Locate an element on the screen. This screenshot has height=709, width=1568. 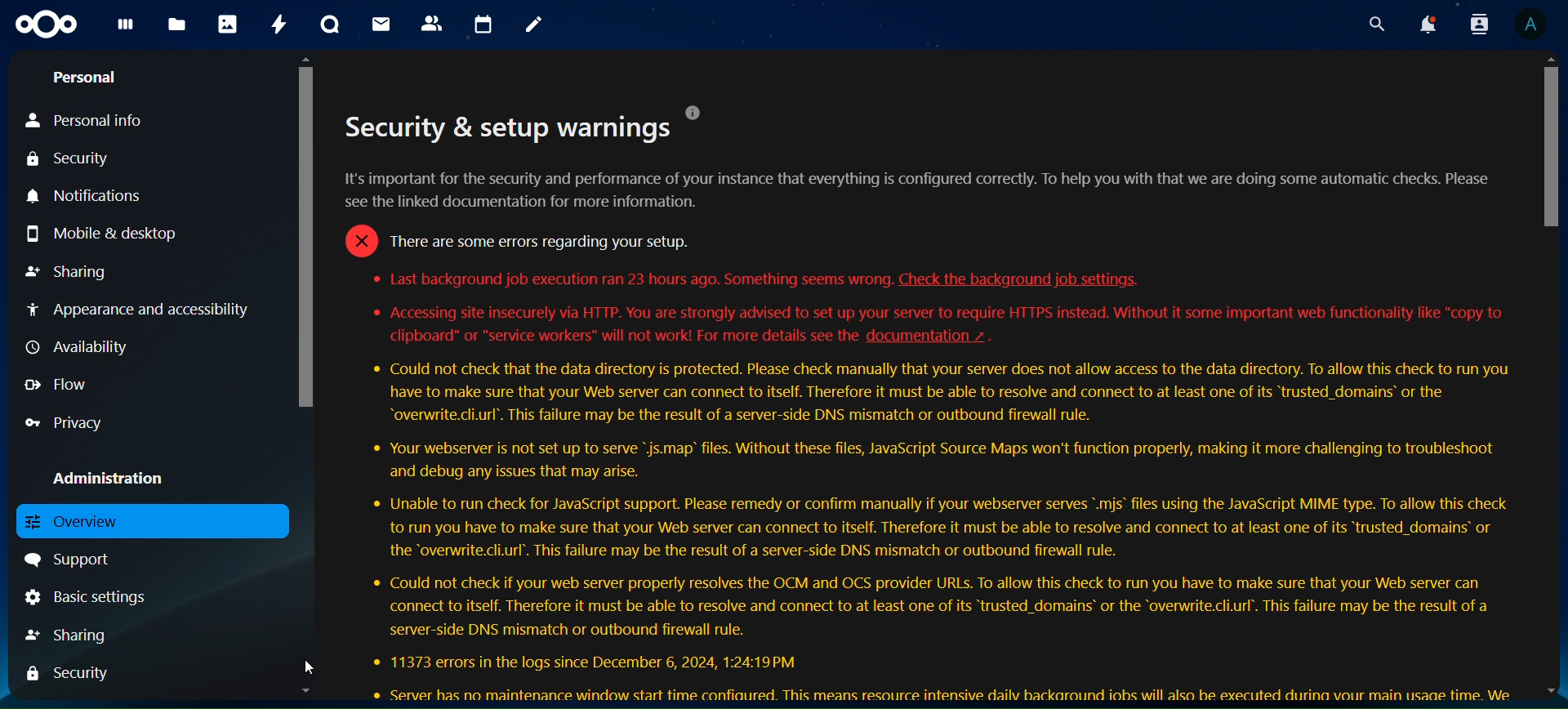
security is located at coordinates (70, 155).